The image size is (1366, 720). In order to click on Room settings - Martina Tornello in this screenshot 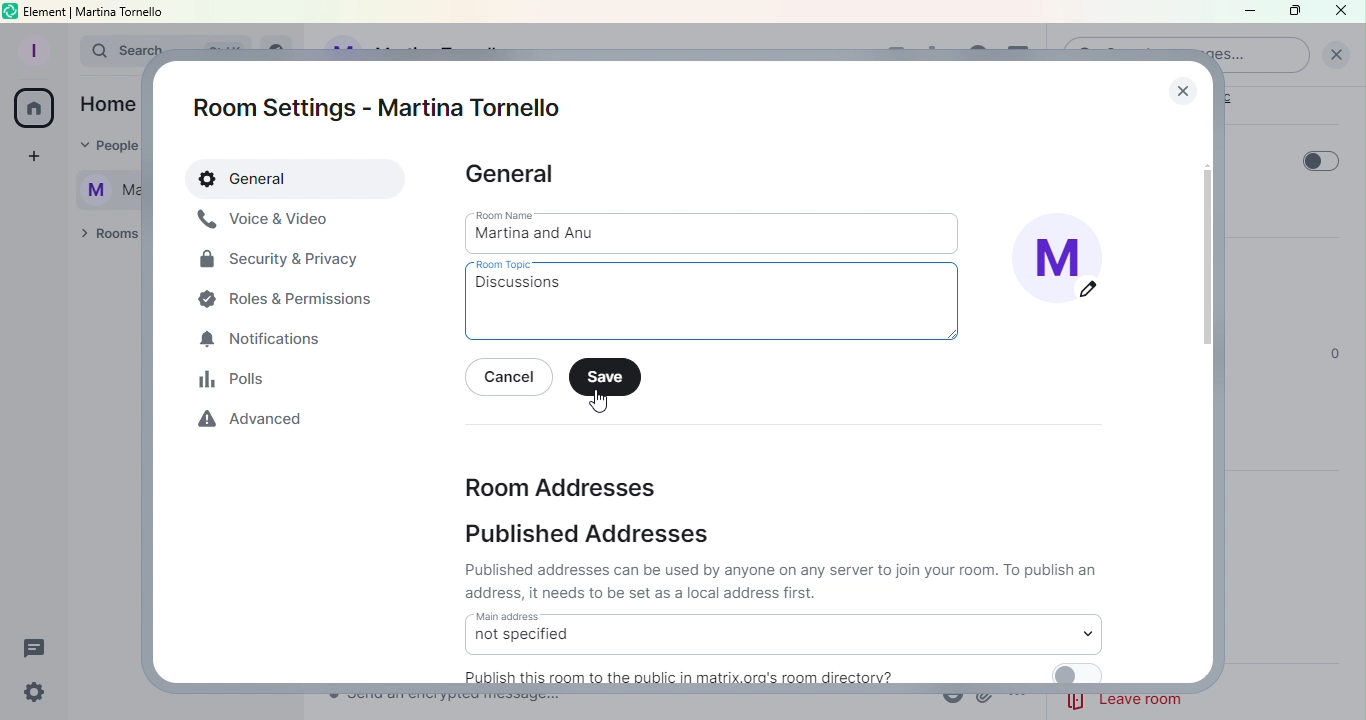, I will do `click(385, 108)`.